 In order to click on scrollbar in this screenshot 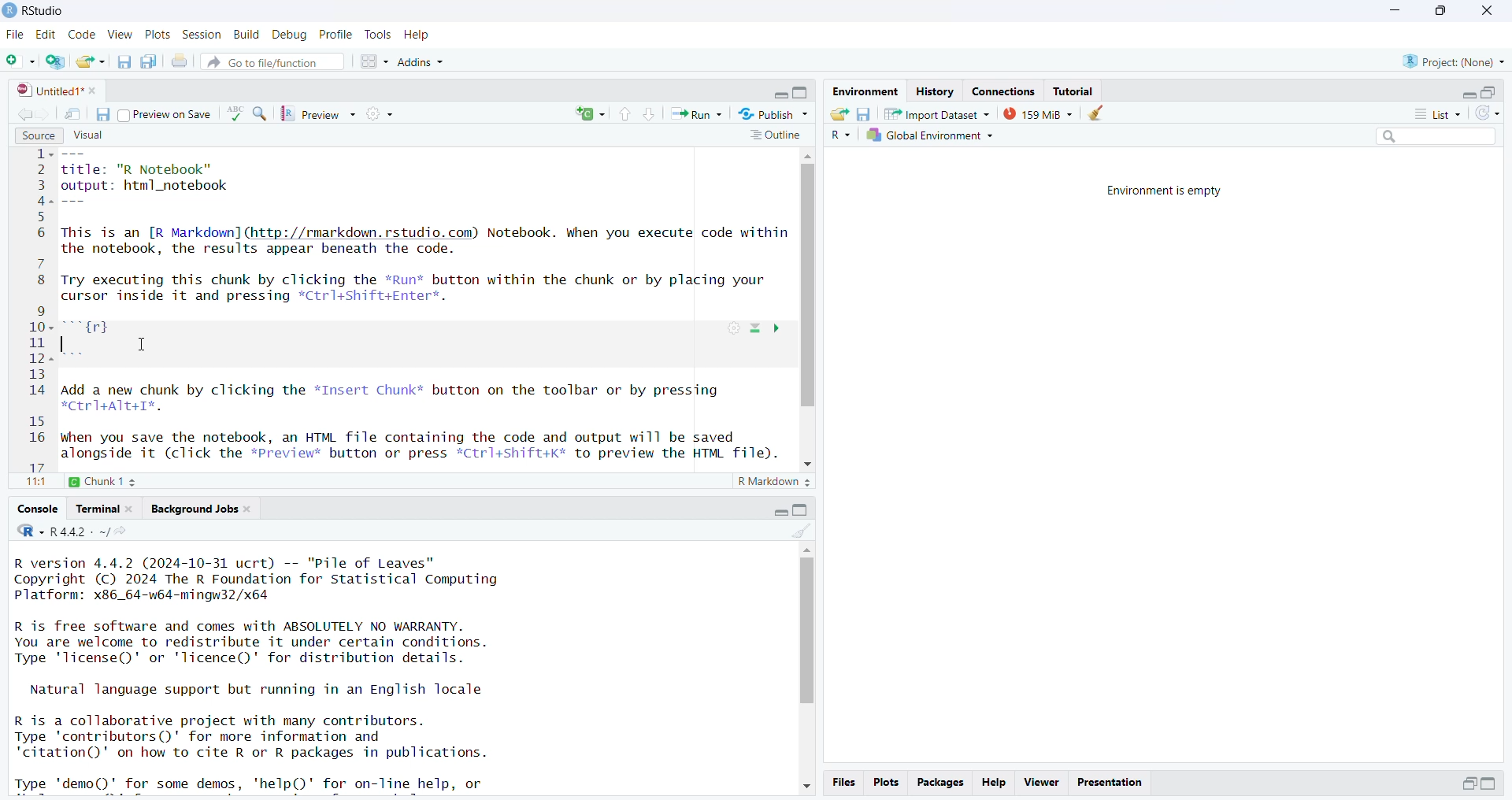, I will do `click(806, 669)`.